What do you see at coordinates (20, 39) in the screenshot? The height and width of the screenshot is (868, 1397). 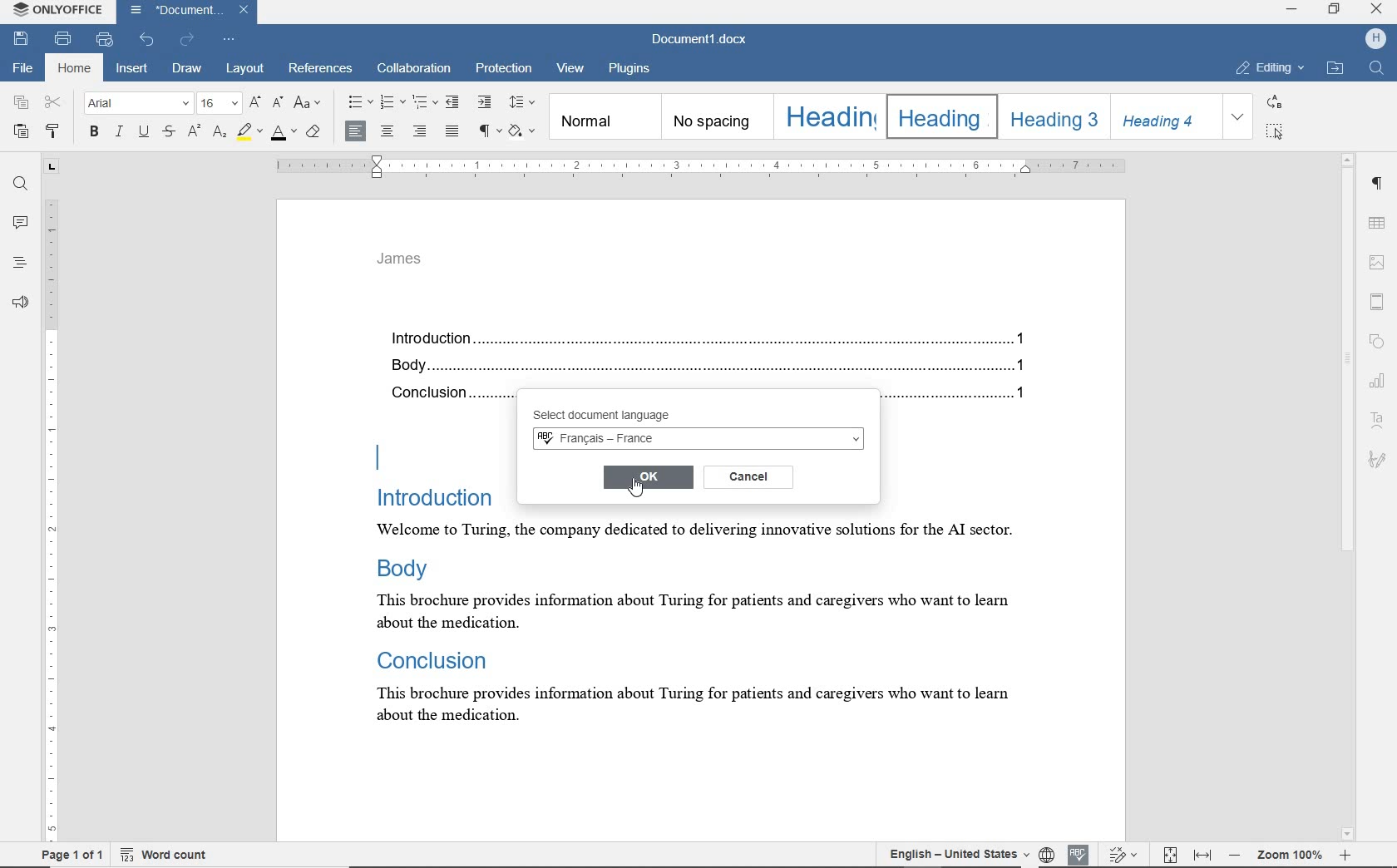 I see `save` at bounding box center [20, 39].